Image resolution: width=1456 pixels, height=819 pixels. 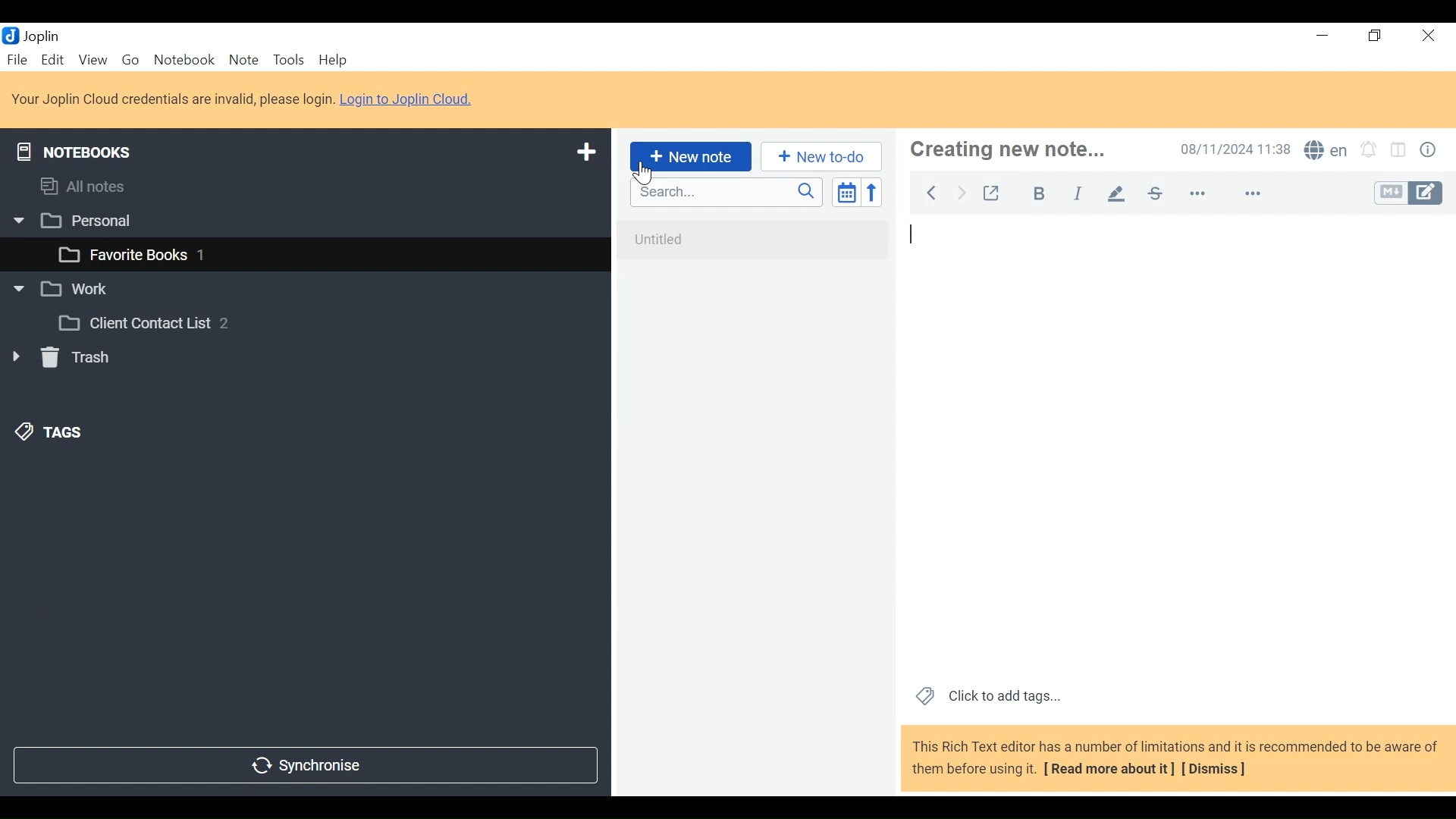 I want to click on Bold, so click(x=1043, y=193).